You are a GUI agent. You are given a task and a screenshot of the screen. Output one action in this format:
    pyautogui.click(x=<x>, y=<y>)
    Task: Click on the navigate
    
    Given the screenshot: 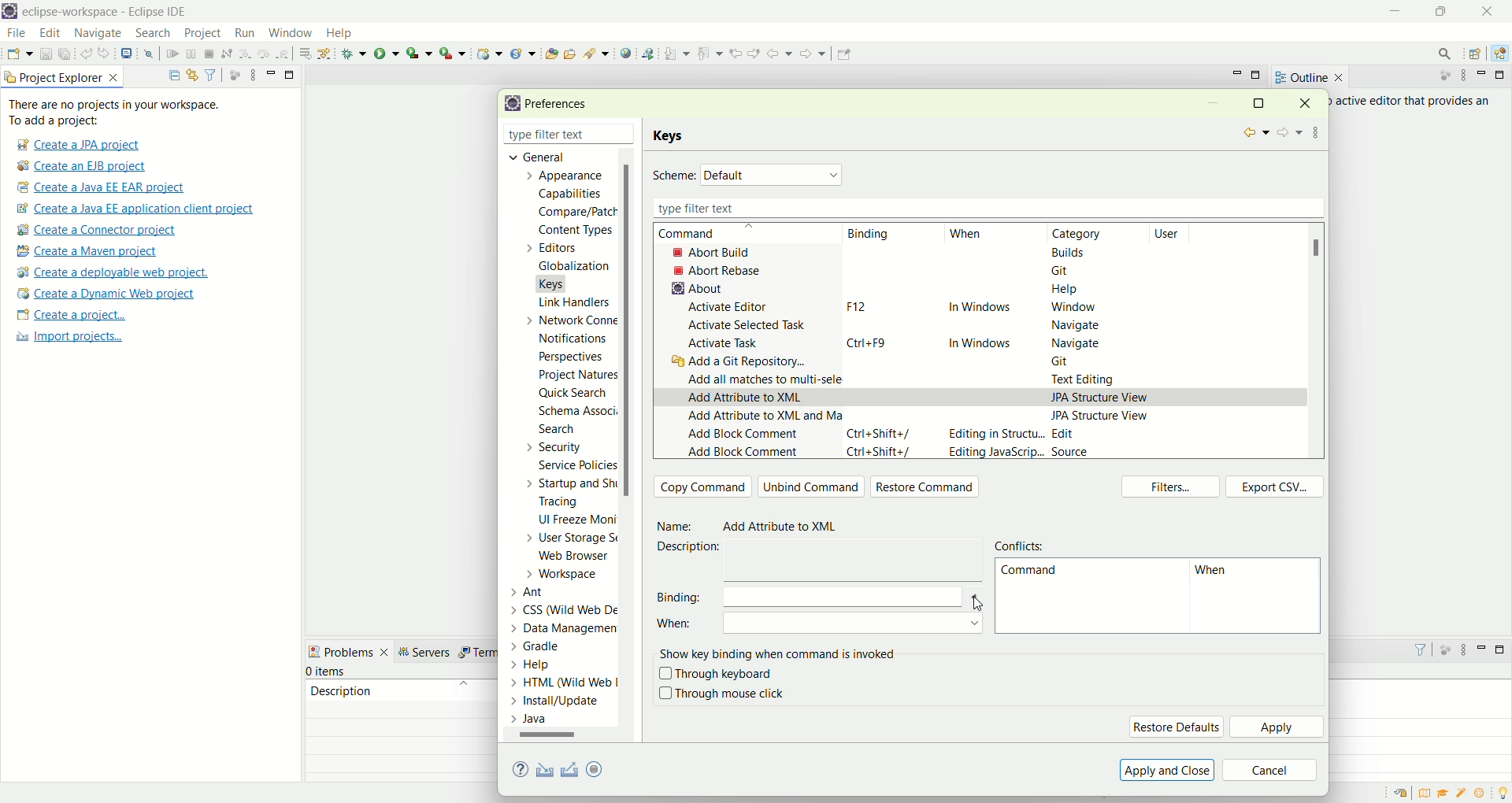 What is the action you would take?
    pyautogui.click(x=98, y=34)
    